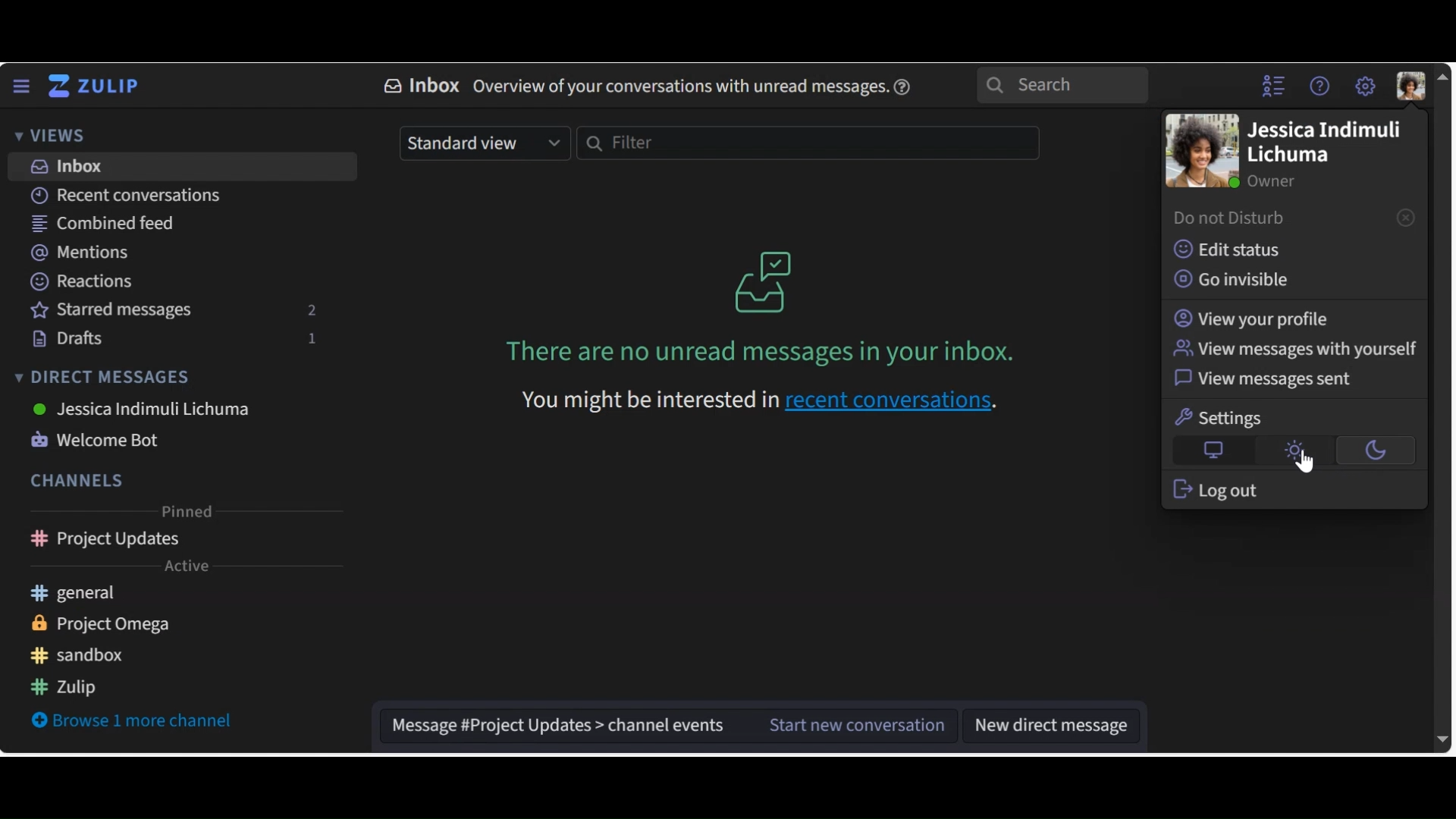 This screenshot has height=819, width=1456. What do you see at coordinates (184, 541) in the screenshot?
I see `Project Updates` at bounding box center [184, 541].